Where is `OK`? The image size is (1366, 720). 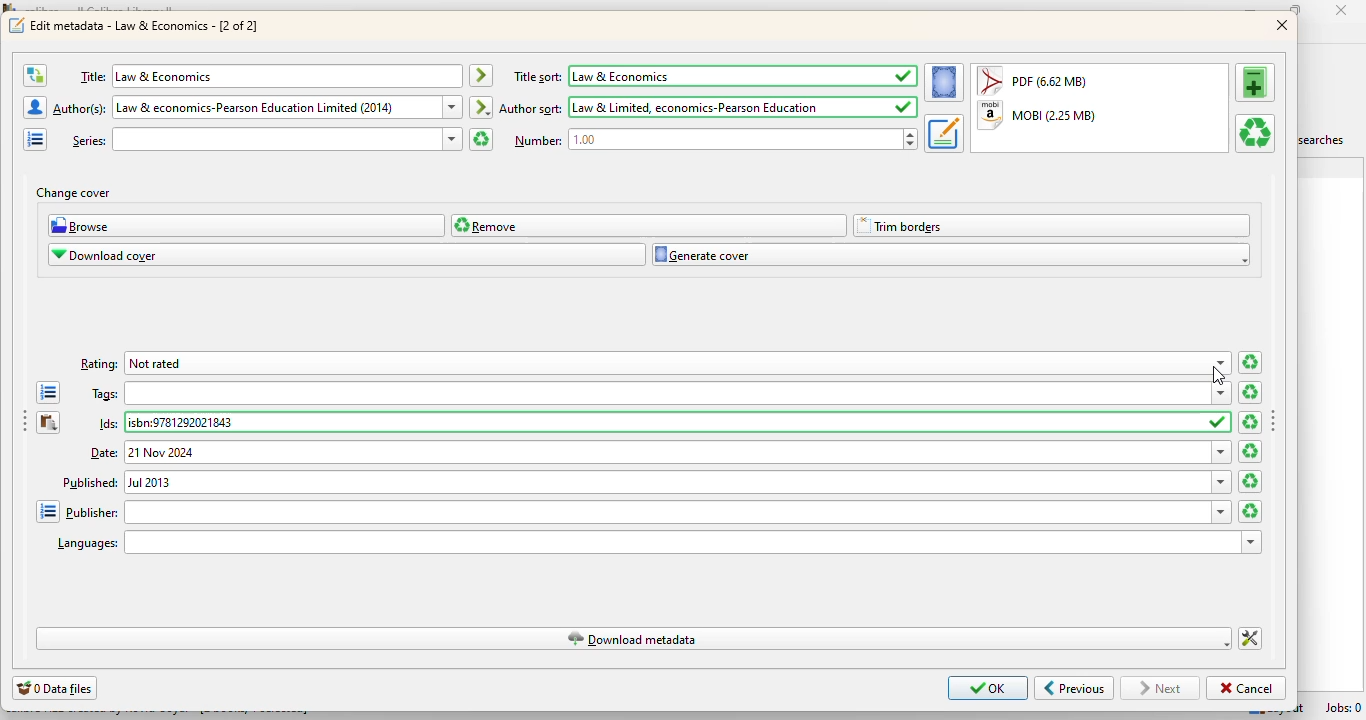 OK is located at coordinates (989, 688).